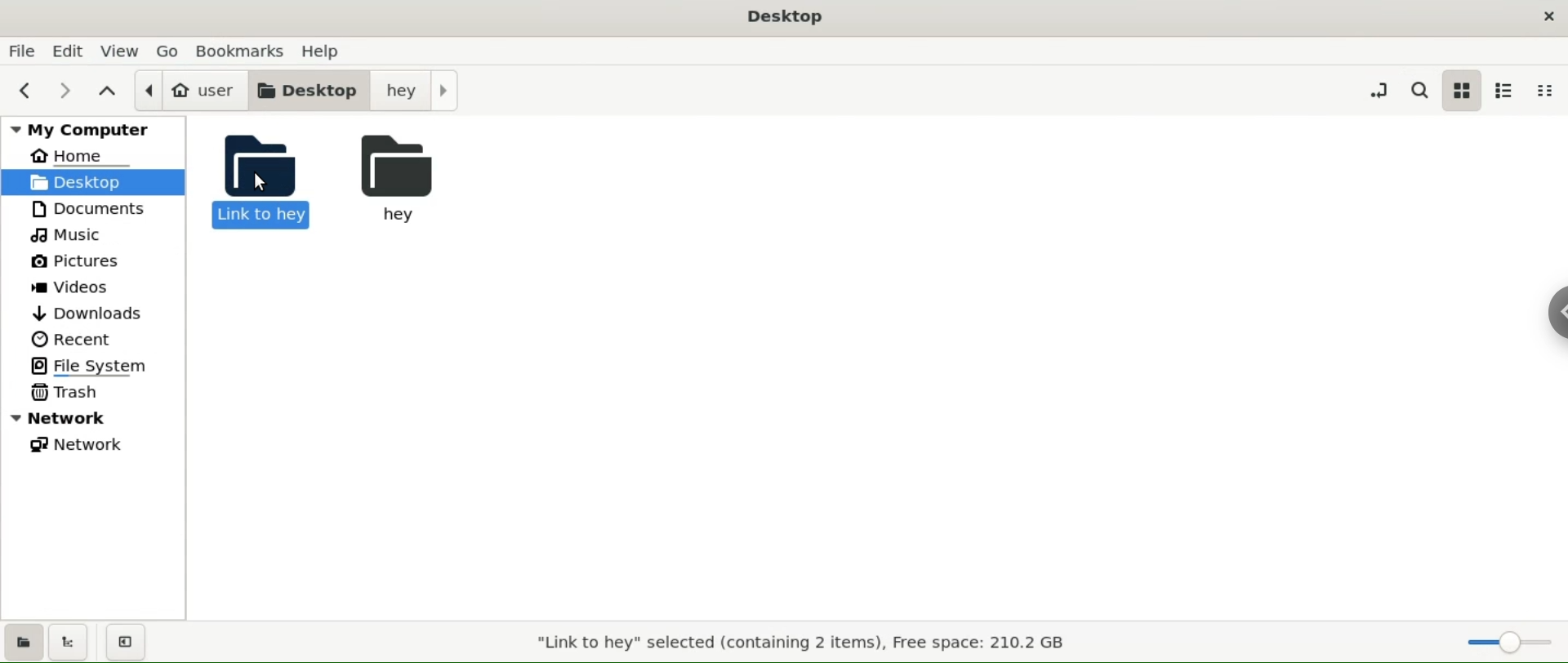 The width and height of the screenshot is (1568, 663). I want to click on file, so click(21, 53).